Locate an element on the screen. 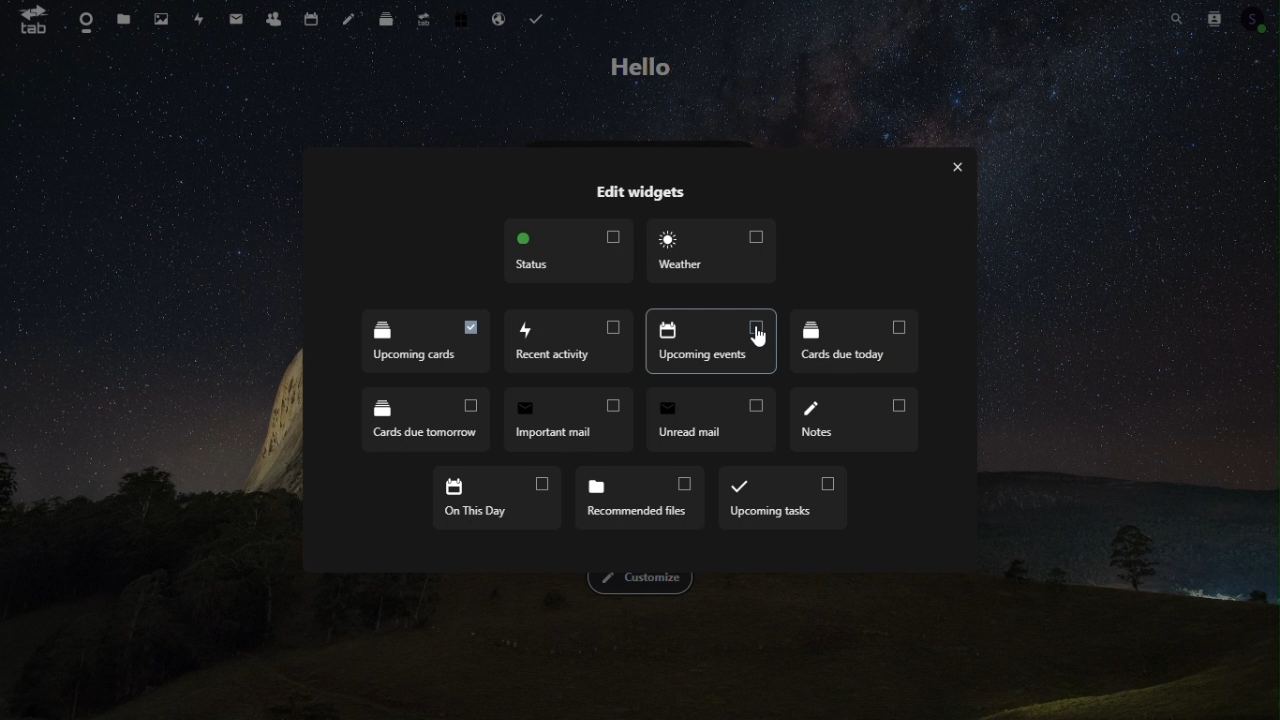 Image resolution: width=1280 pixels, height=720 pixels. Contacts is located at coordinates (275, 15).